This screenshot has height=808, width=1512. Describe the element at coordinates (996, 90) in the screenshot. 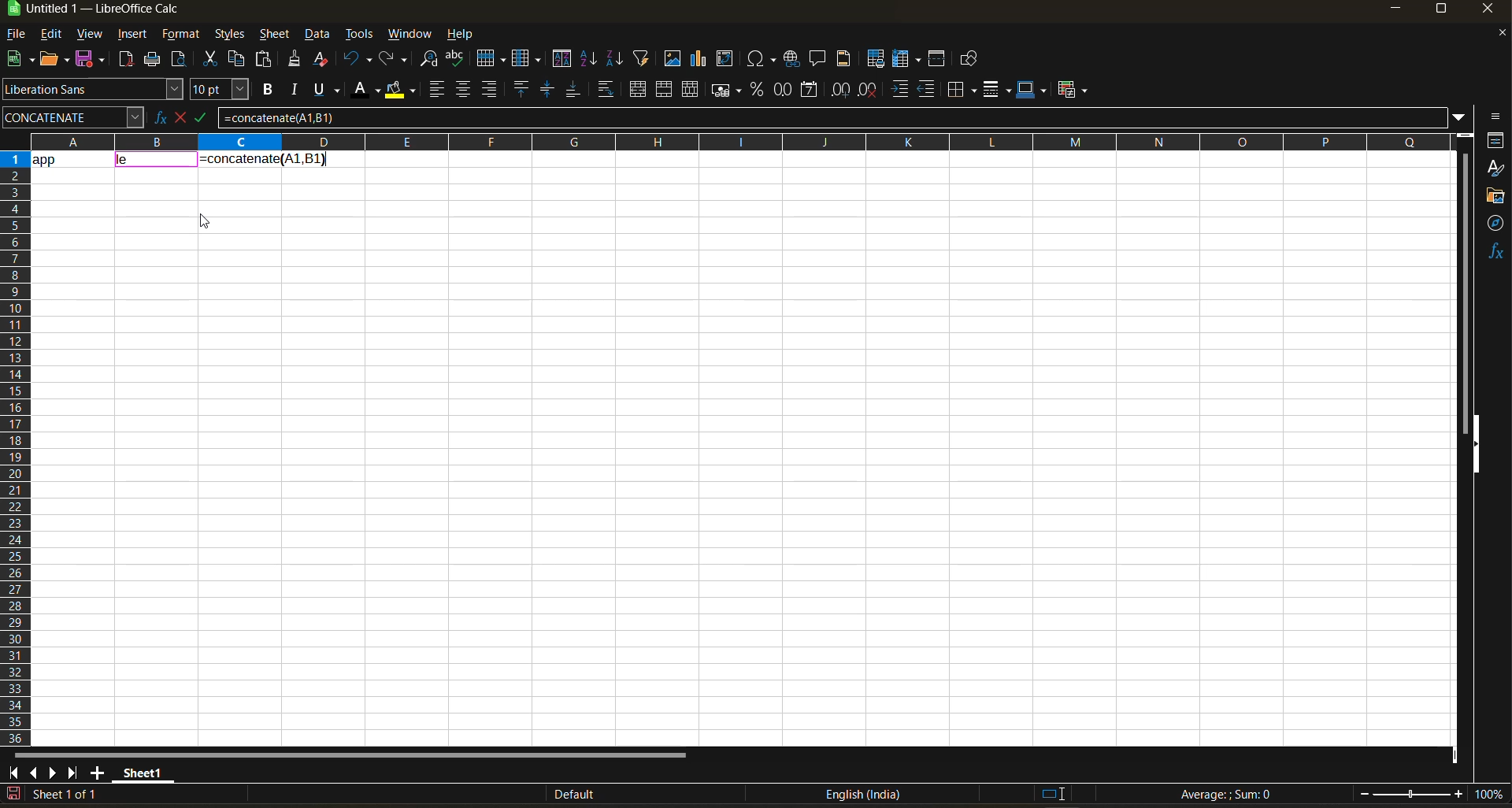

I see `border style` at that location.